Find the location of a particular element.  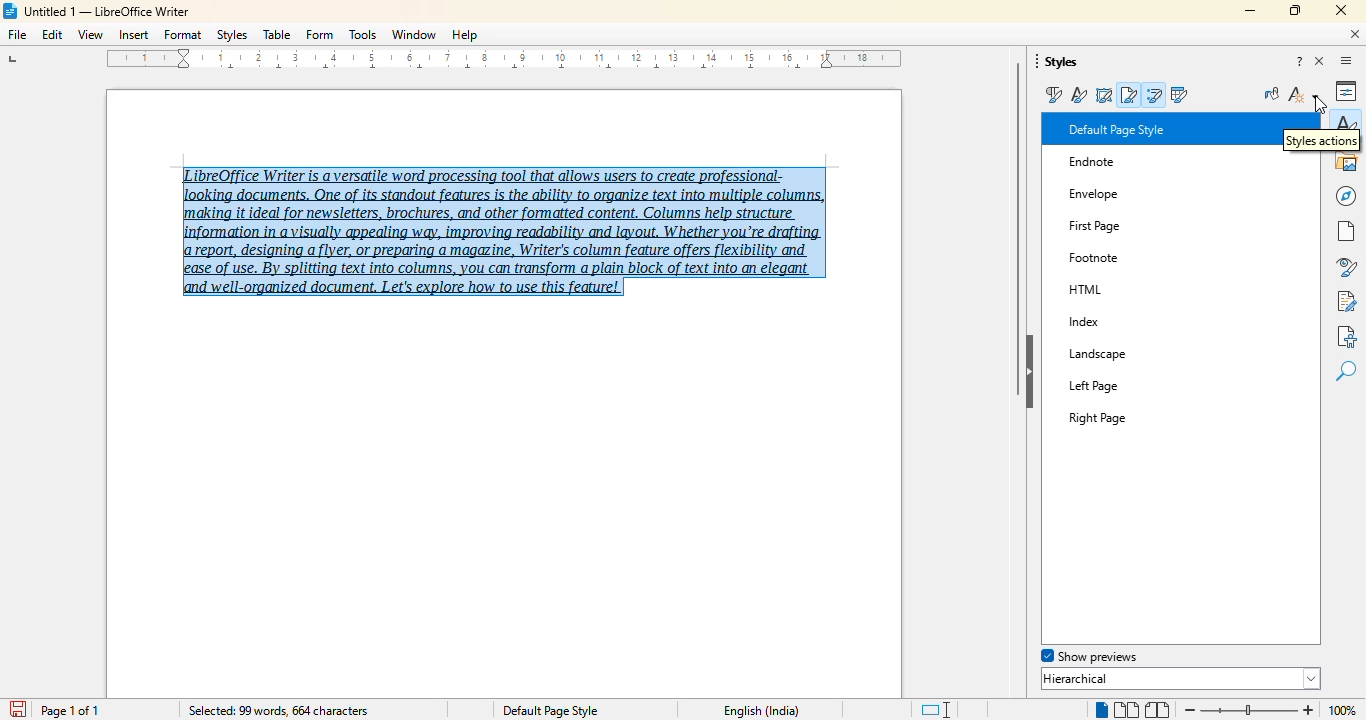

help is located at coordinates (465, 35).